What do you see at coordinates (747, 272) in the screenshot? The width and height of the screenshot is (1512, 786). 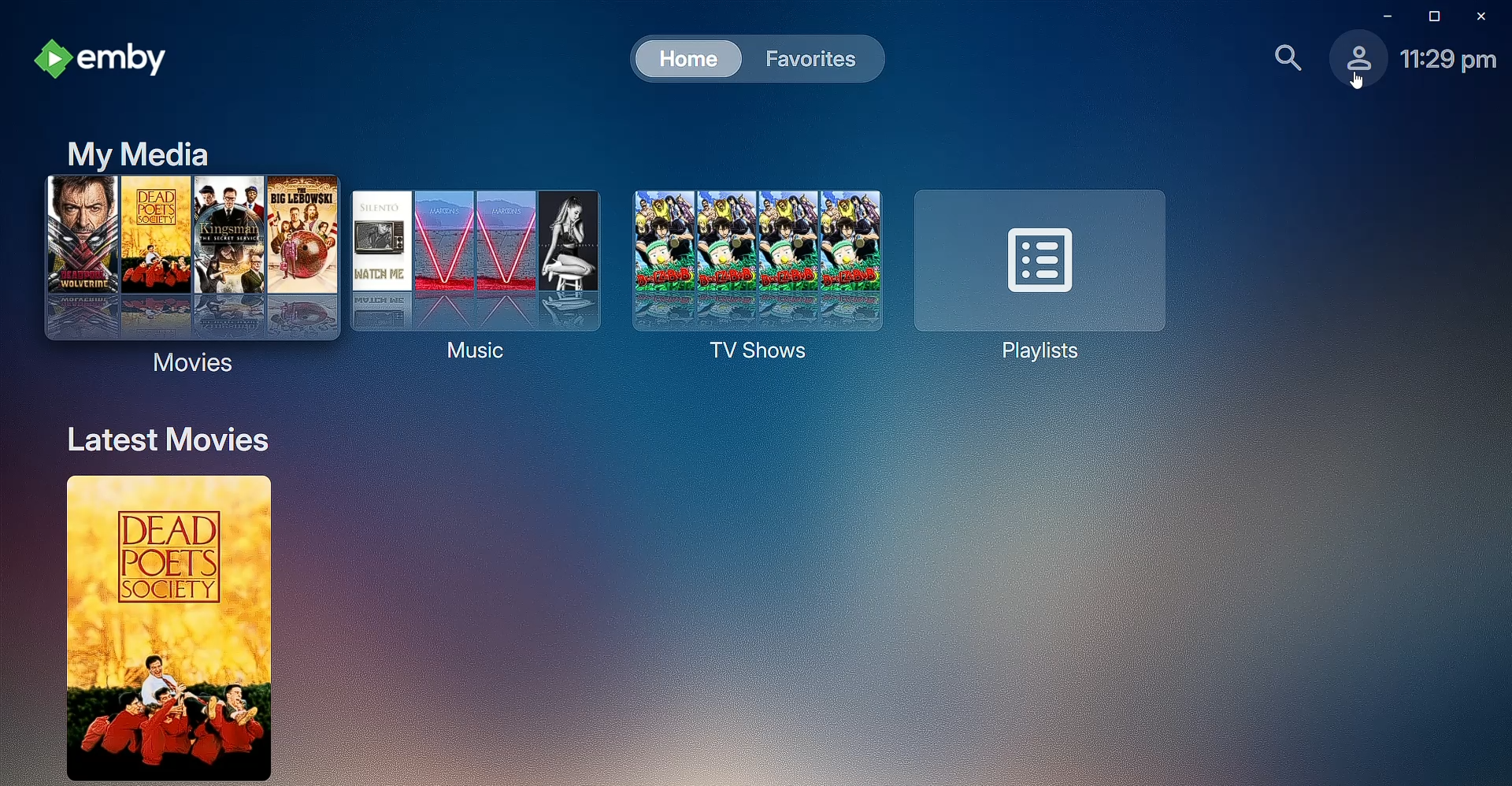 I see `TV Shows` at bounding box center [747, 272].